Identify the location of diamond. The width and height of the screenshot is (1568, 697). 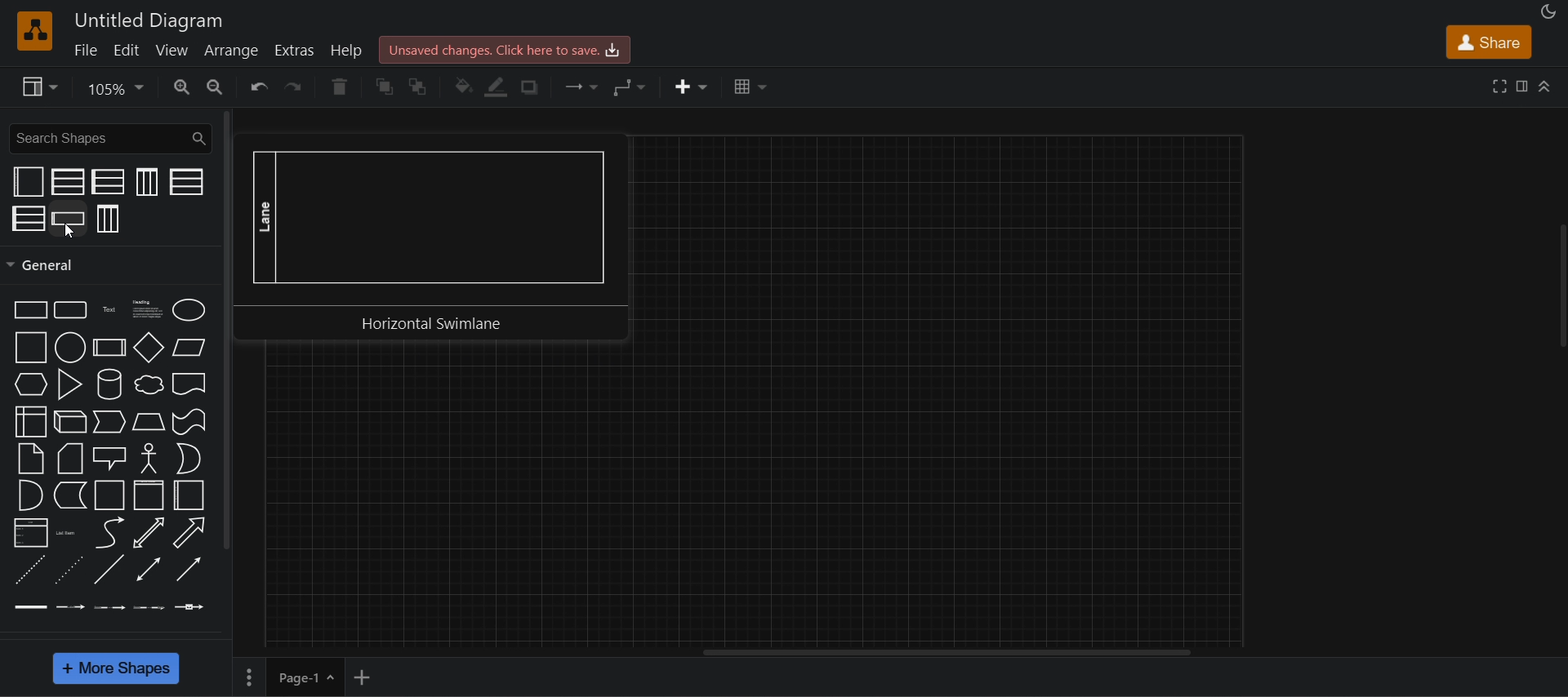
(149, 347).